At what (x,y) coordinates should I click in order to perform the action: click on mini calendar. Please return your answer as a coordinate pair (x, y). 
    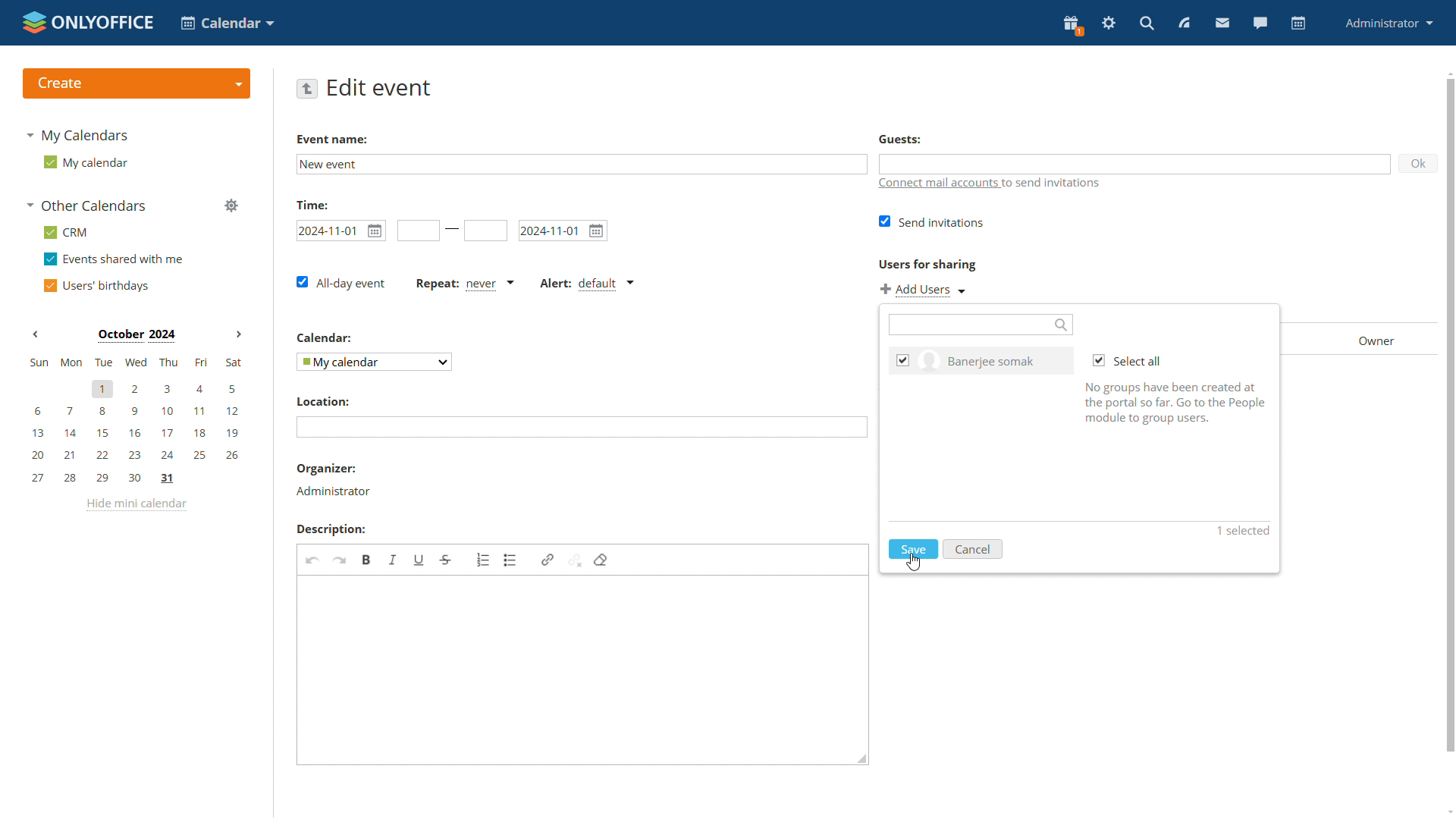
    Looking at the image, I should click on (135, 421).